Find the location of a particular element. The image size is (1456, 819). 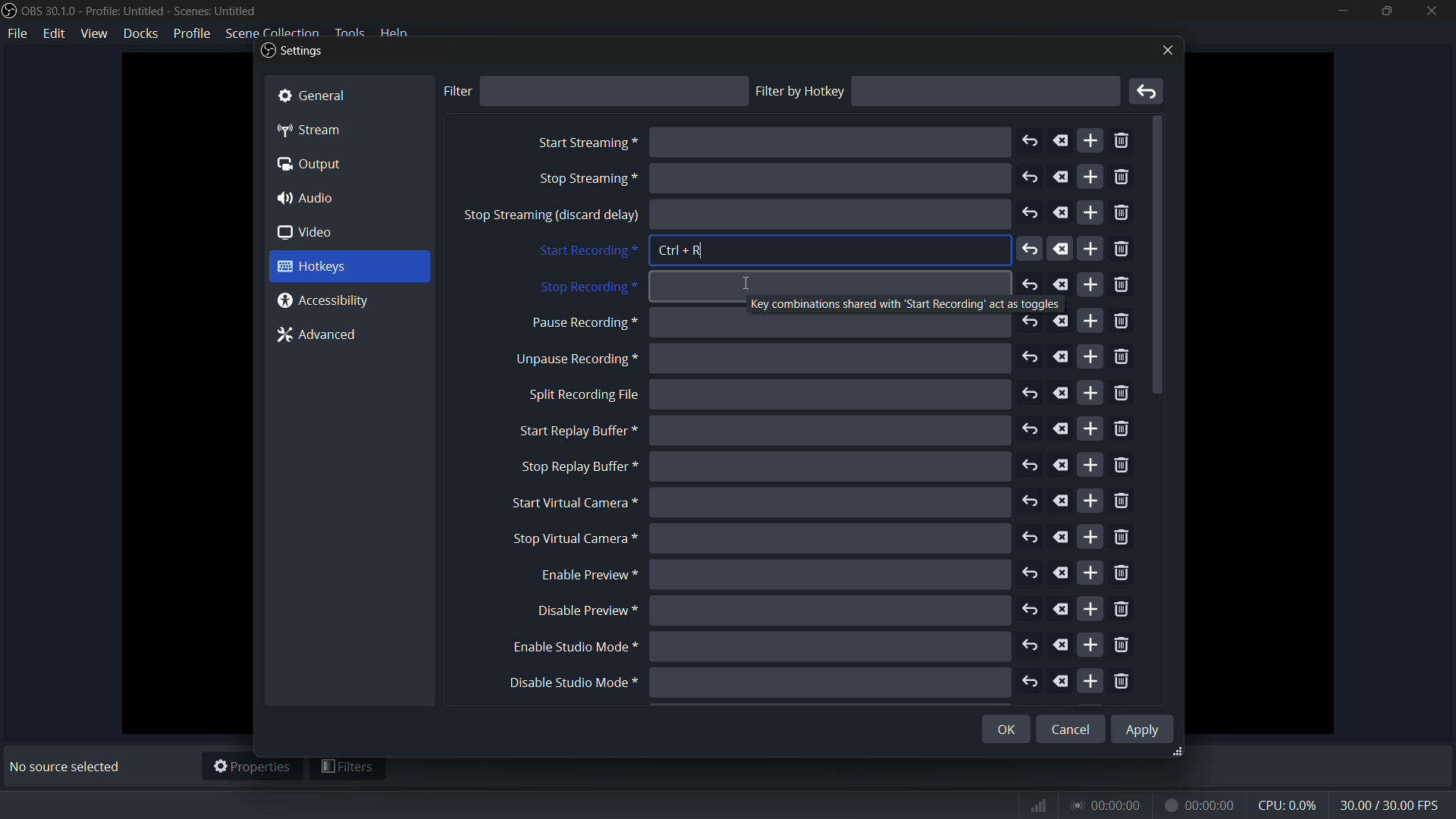

delete is located at coordinates (1062, 610).